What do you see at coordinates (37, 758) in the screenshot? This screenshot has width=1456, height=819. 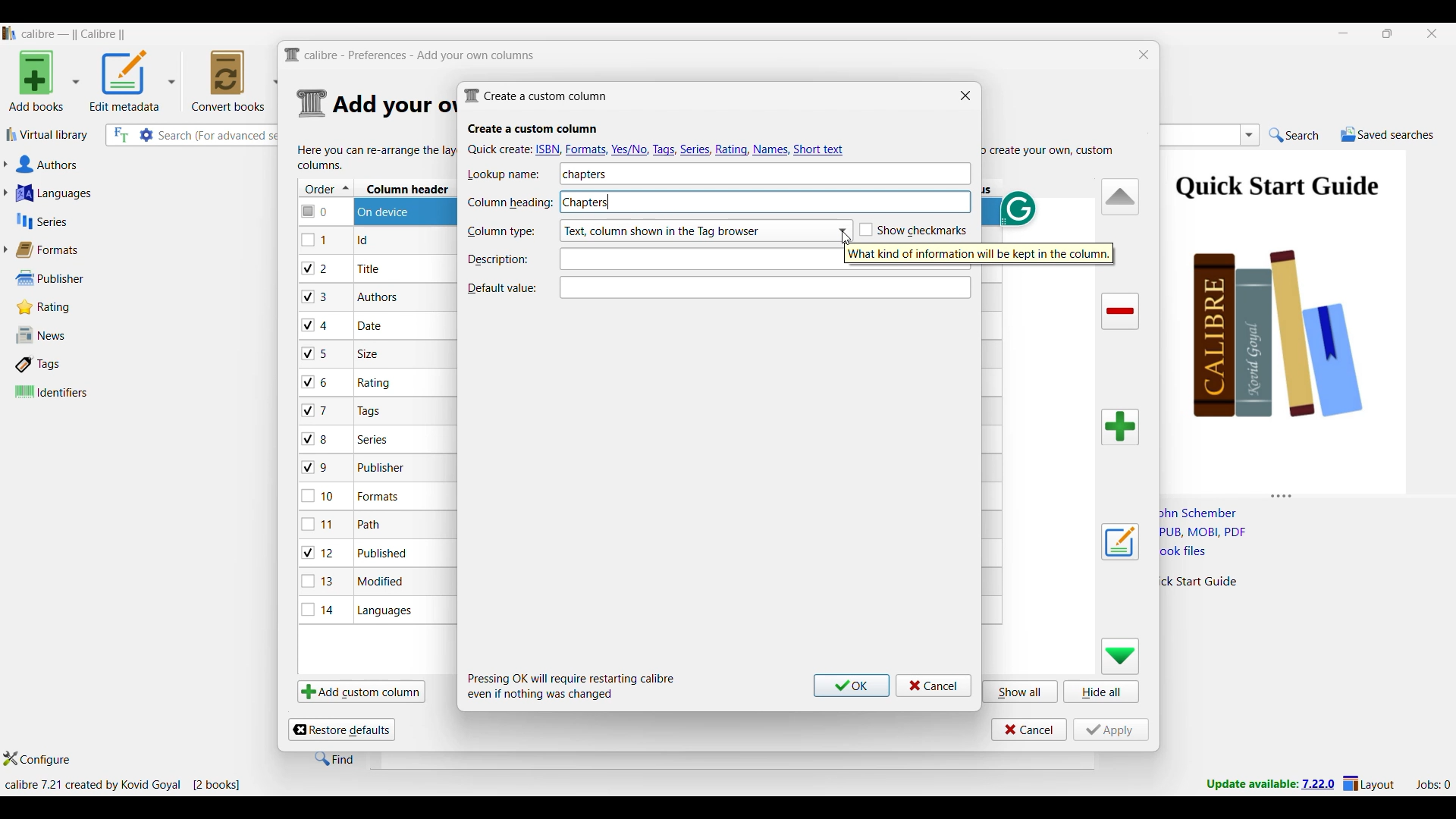 I see `Configure` at bounding box center [37, 758].